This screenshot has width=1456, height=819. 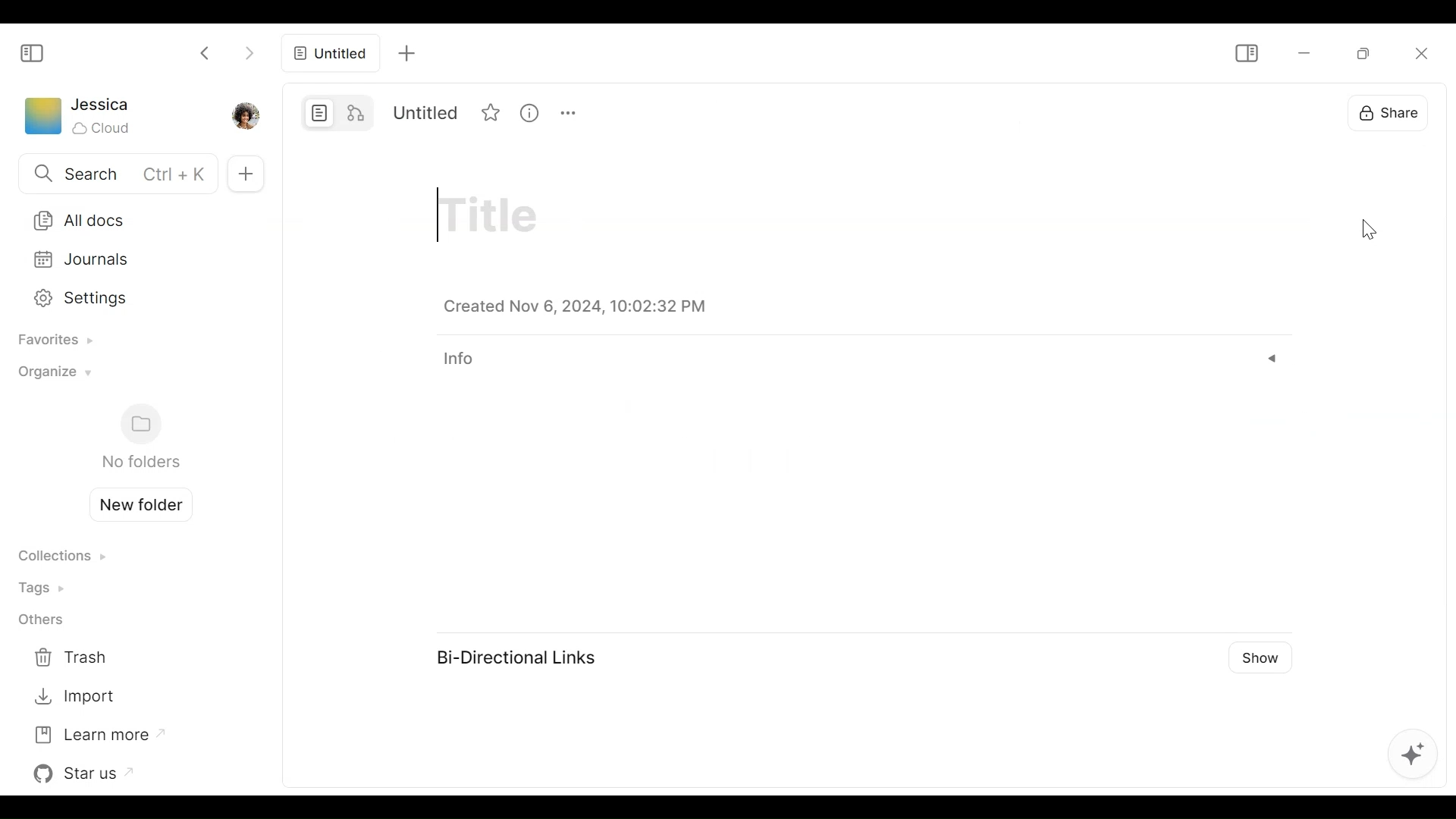 I want to click on Search, so click(x=115, y=175).